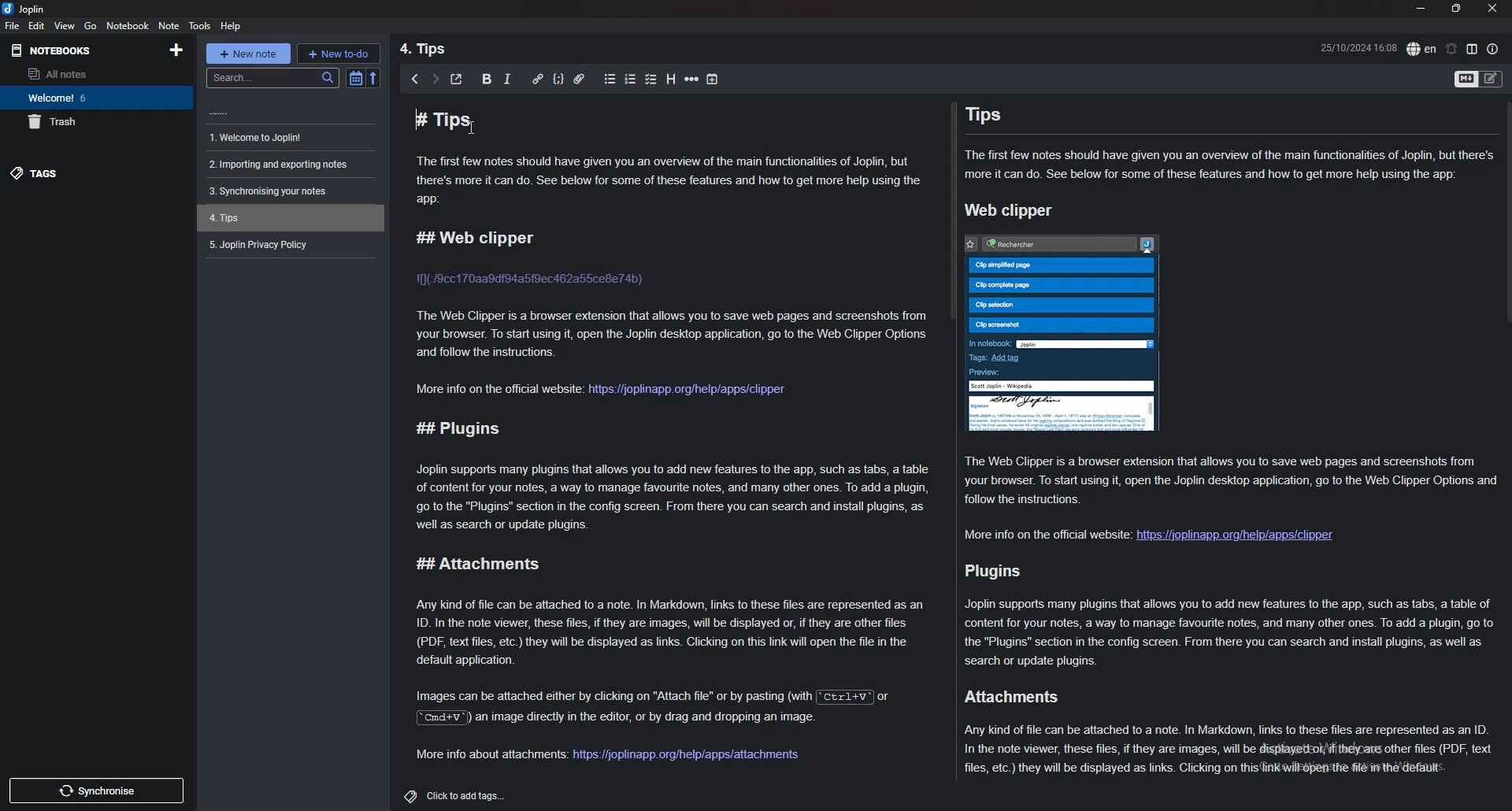  What do you see at coordinates (57, 97) in the screenshot?
I see `welcome` at bounding box center [57, 97].